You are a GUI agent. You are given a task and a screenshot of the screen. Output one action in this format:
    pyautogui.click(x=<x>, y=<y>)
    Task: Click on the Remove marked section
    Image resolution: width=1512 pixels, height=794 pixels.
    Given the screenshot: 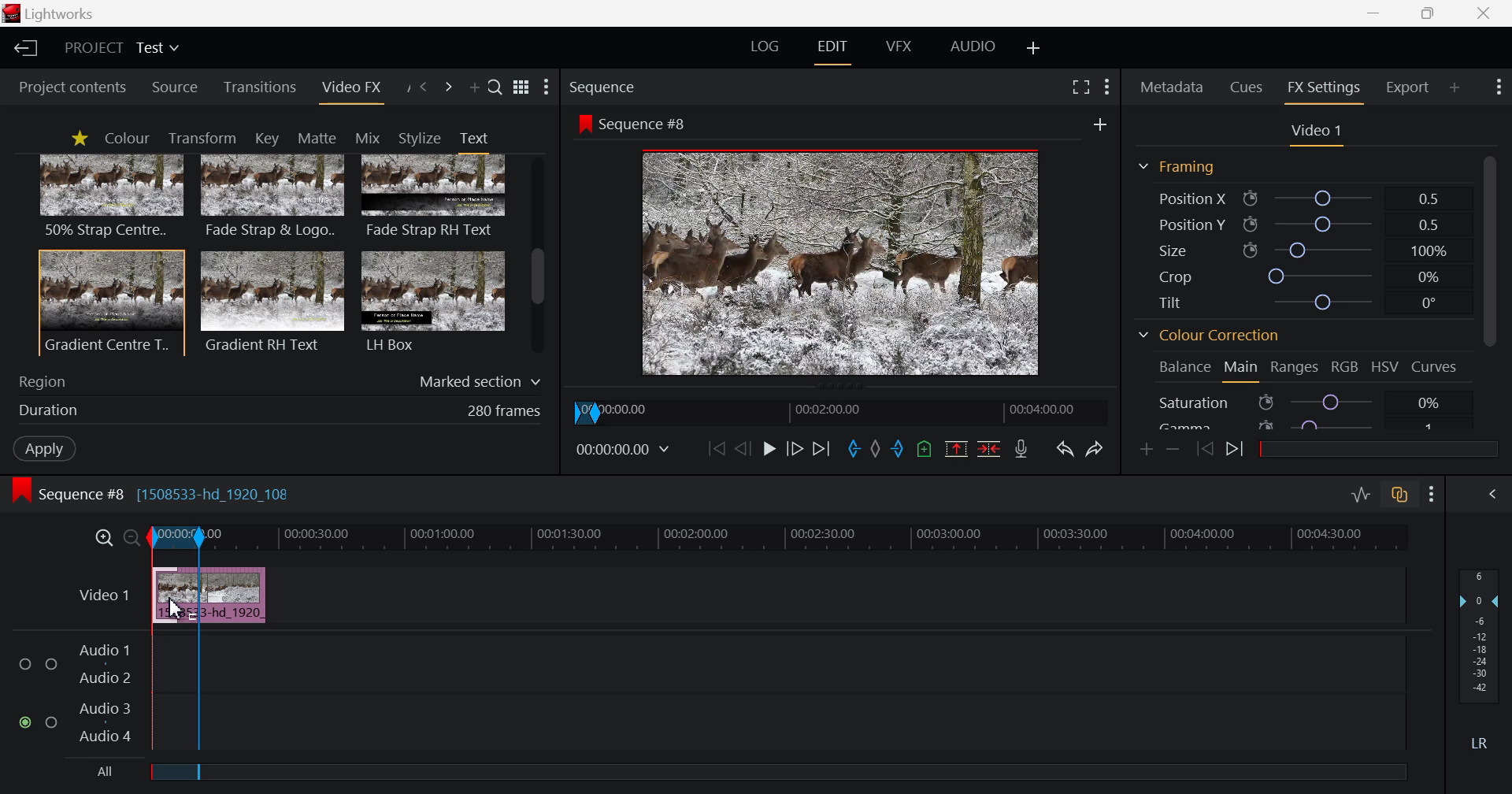 What is the action you would take?
    pyautogui.click(x=956, y=448)
    